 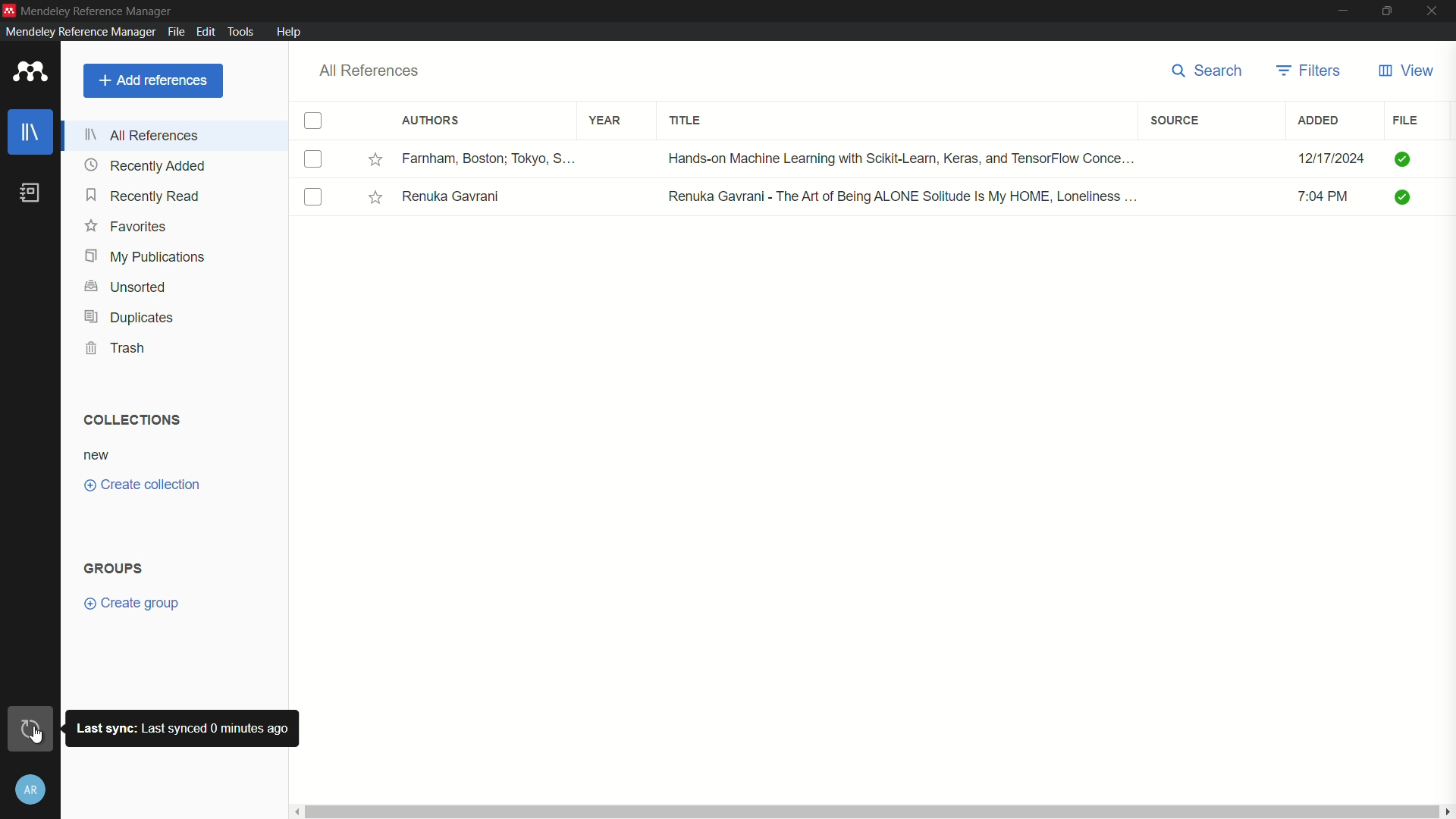 I want to click on Renuka Gavrani, so click(x=904, y=197).